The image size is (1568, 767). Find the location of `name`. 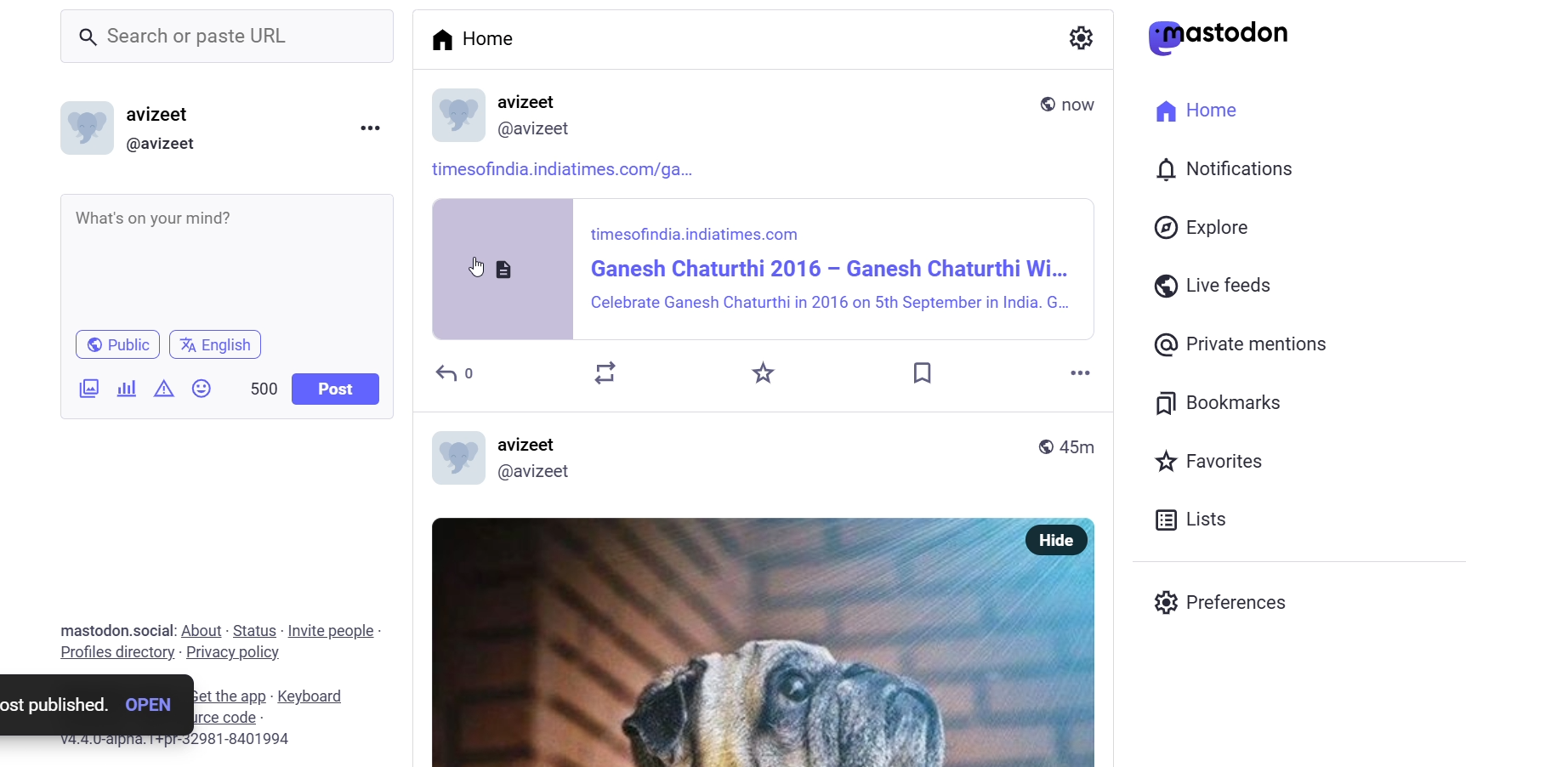

name is located at coordinates (547, 102).